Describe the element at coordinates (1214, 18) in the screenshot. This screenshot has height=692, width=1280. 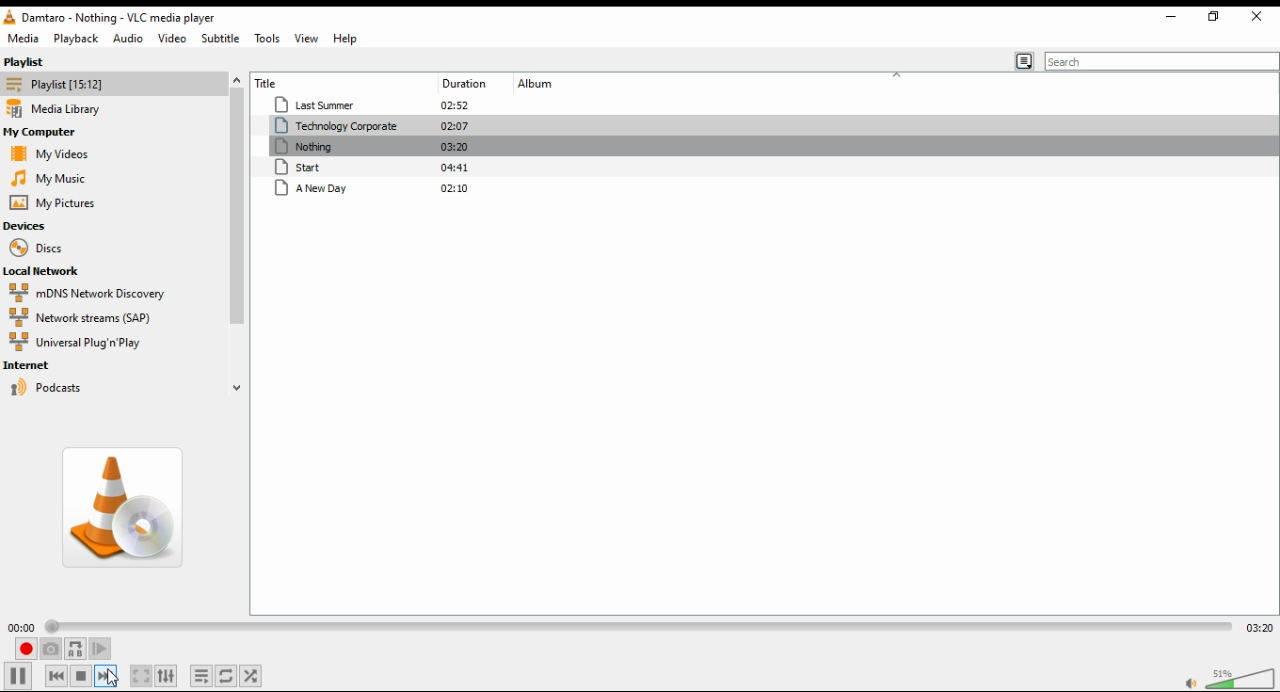
I see `restore` at that location.